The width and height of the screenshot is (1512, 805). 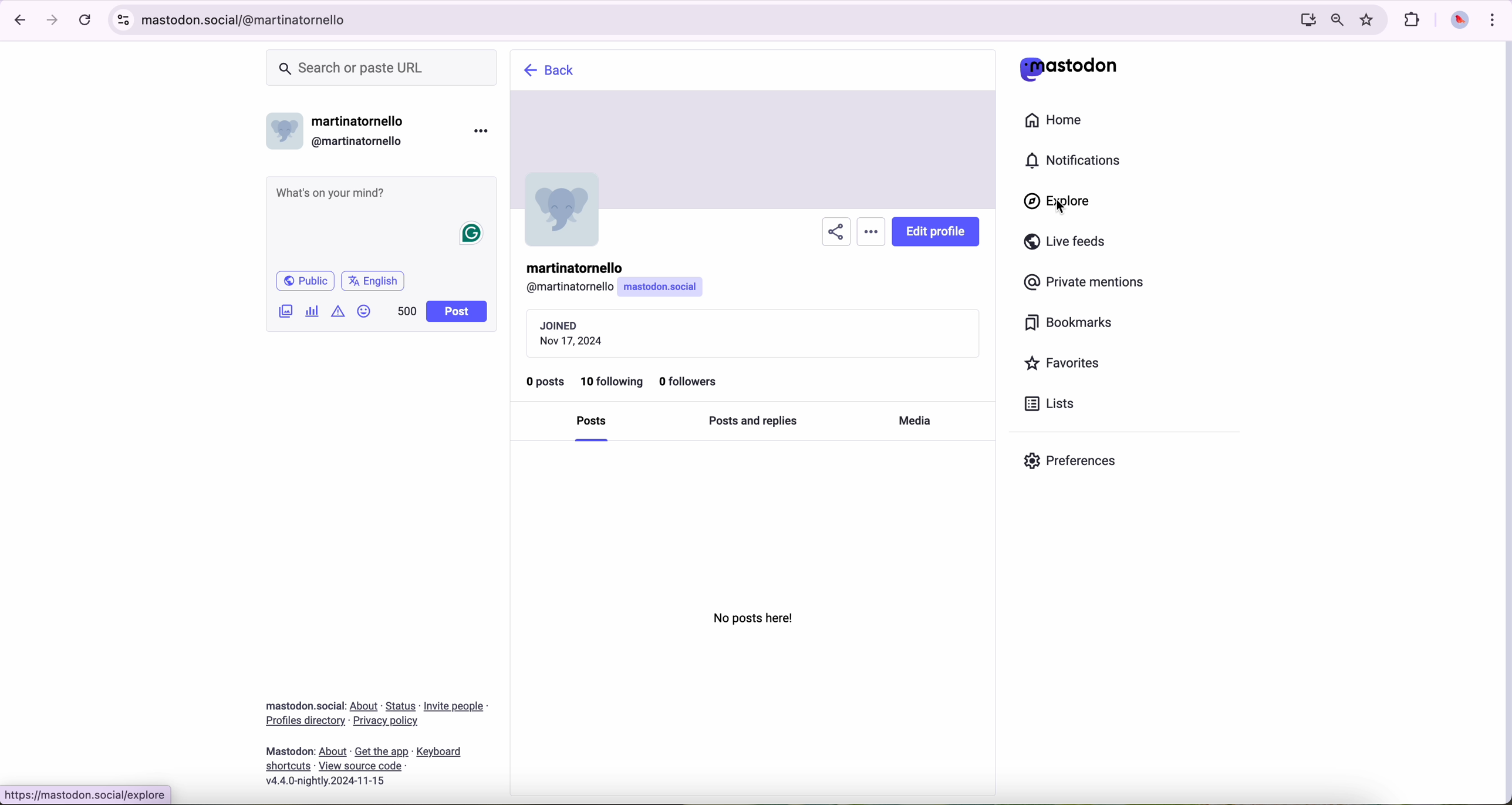 I want to click on 500, so click(x=406, y=312).